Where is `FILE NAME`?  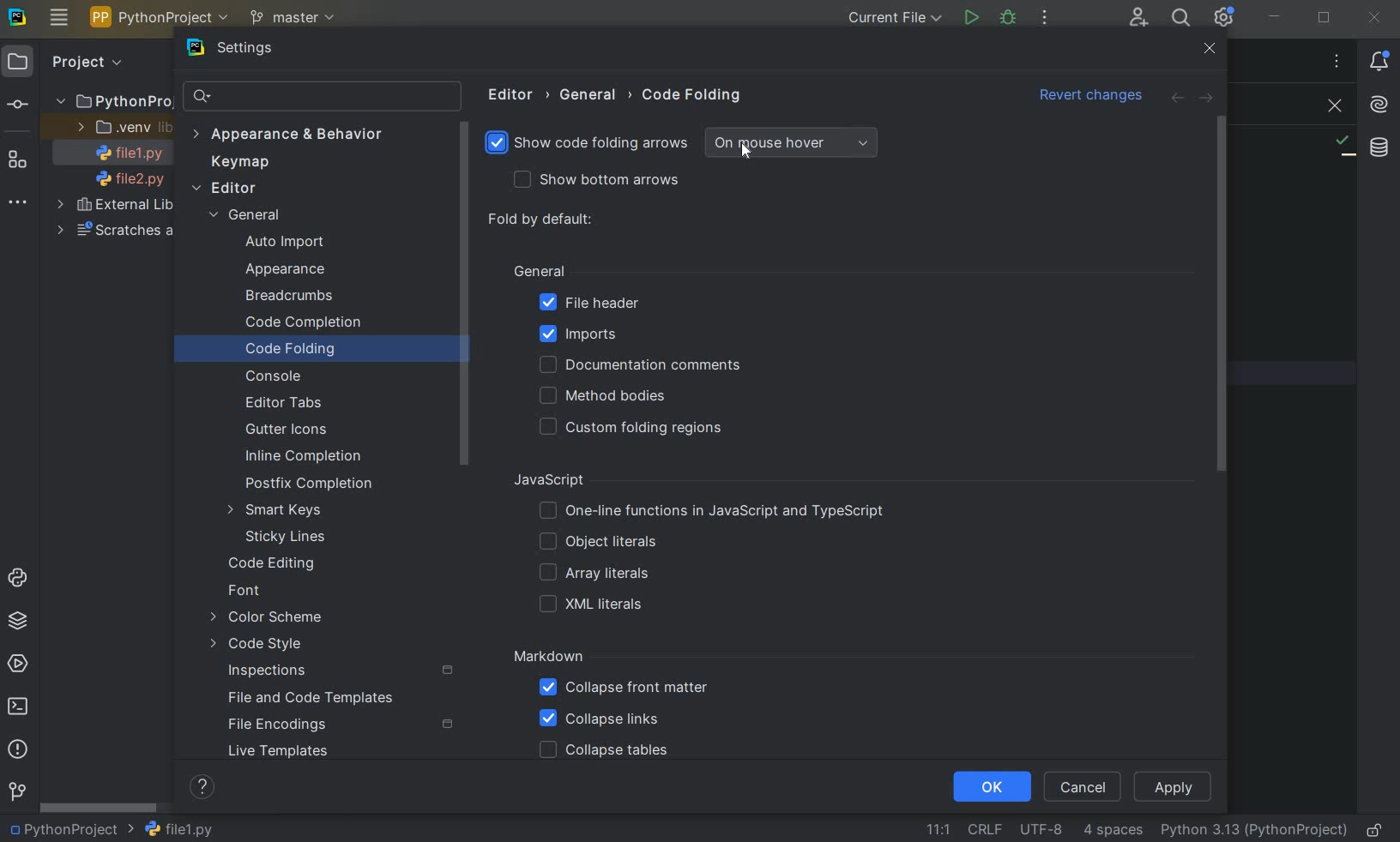 FILE NAME is located at coordinates (178, 829).